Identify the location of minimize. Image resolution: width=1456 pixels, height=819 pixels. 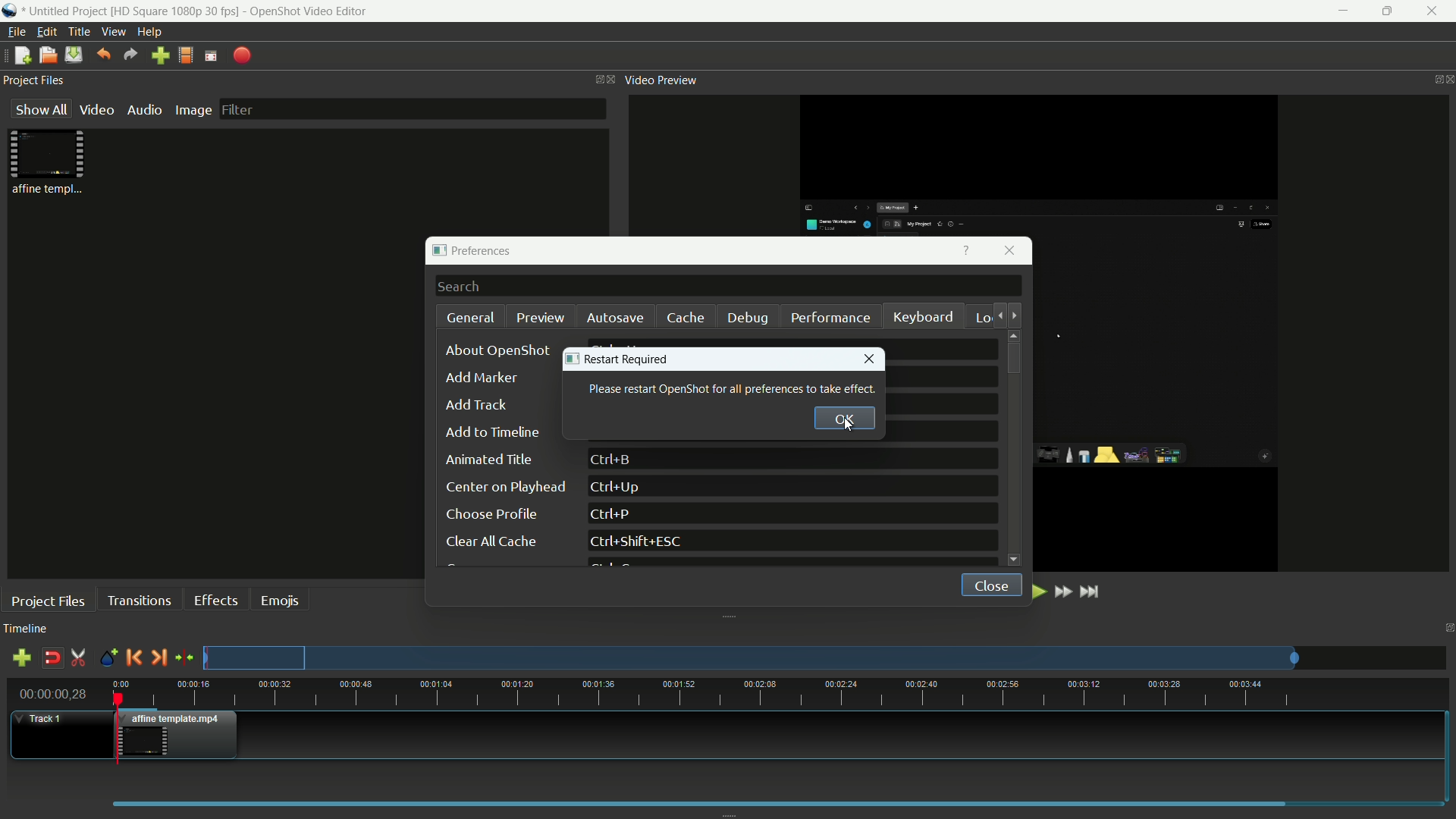
(1339, 11).